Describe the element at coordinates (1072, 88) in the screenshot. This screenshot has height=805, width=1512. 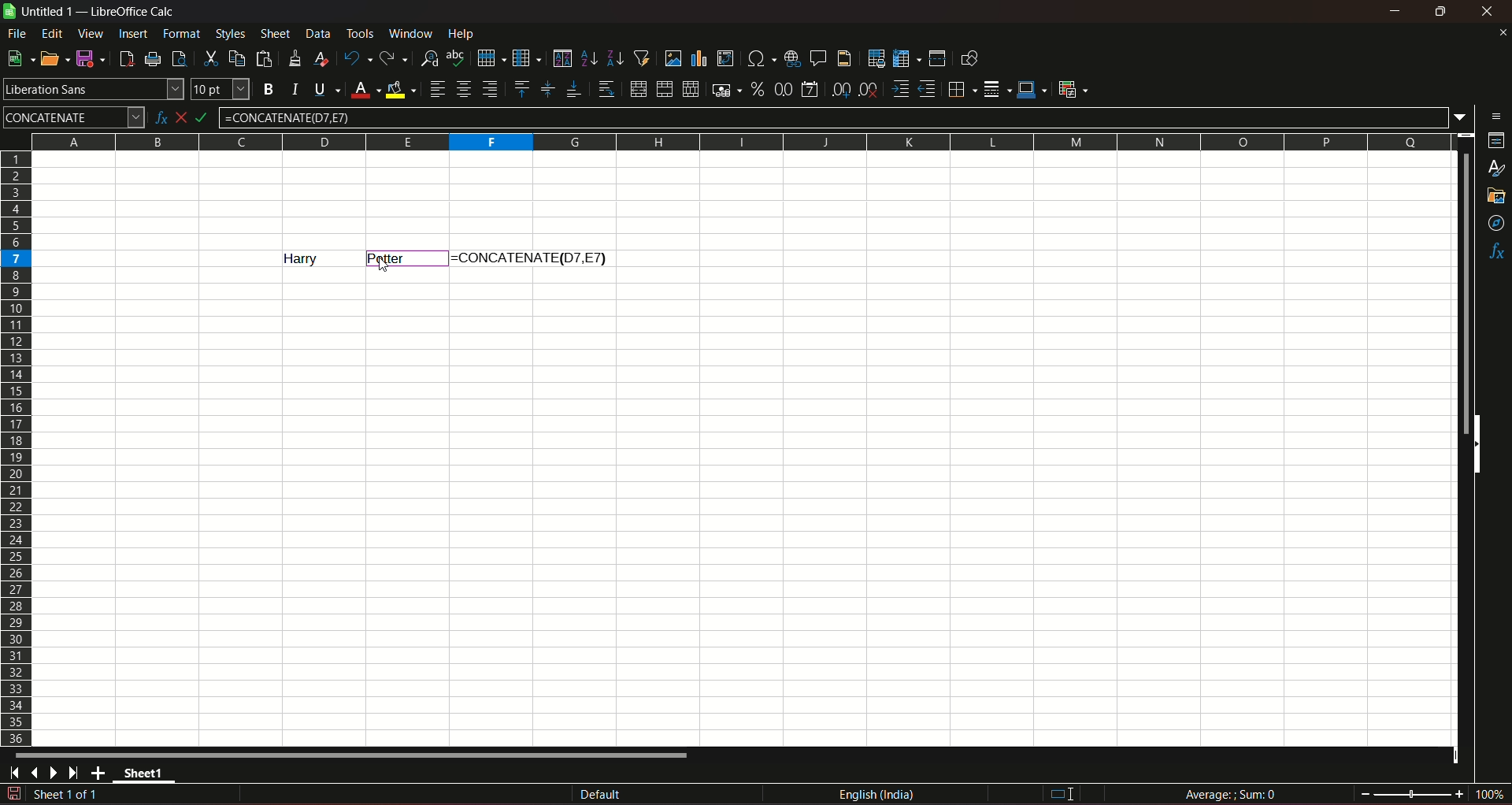
I see `conditional` at that location.